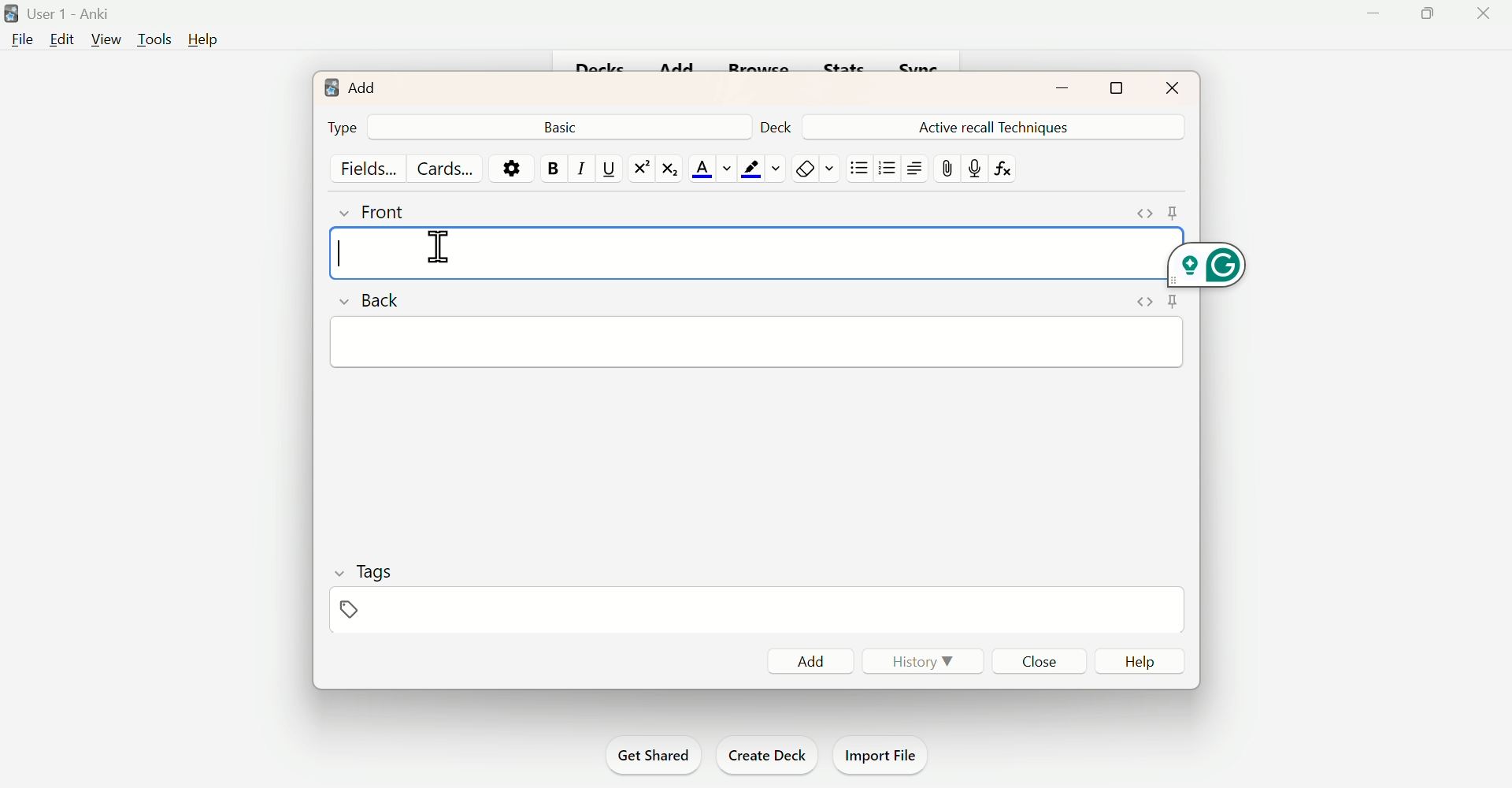 The width and height of the screenshot is (1512, 788). What do you see at coordinates (23, 42) in the screenshot?
I see `File` at bounding box center [23, 42].